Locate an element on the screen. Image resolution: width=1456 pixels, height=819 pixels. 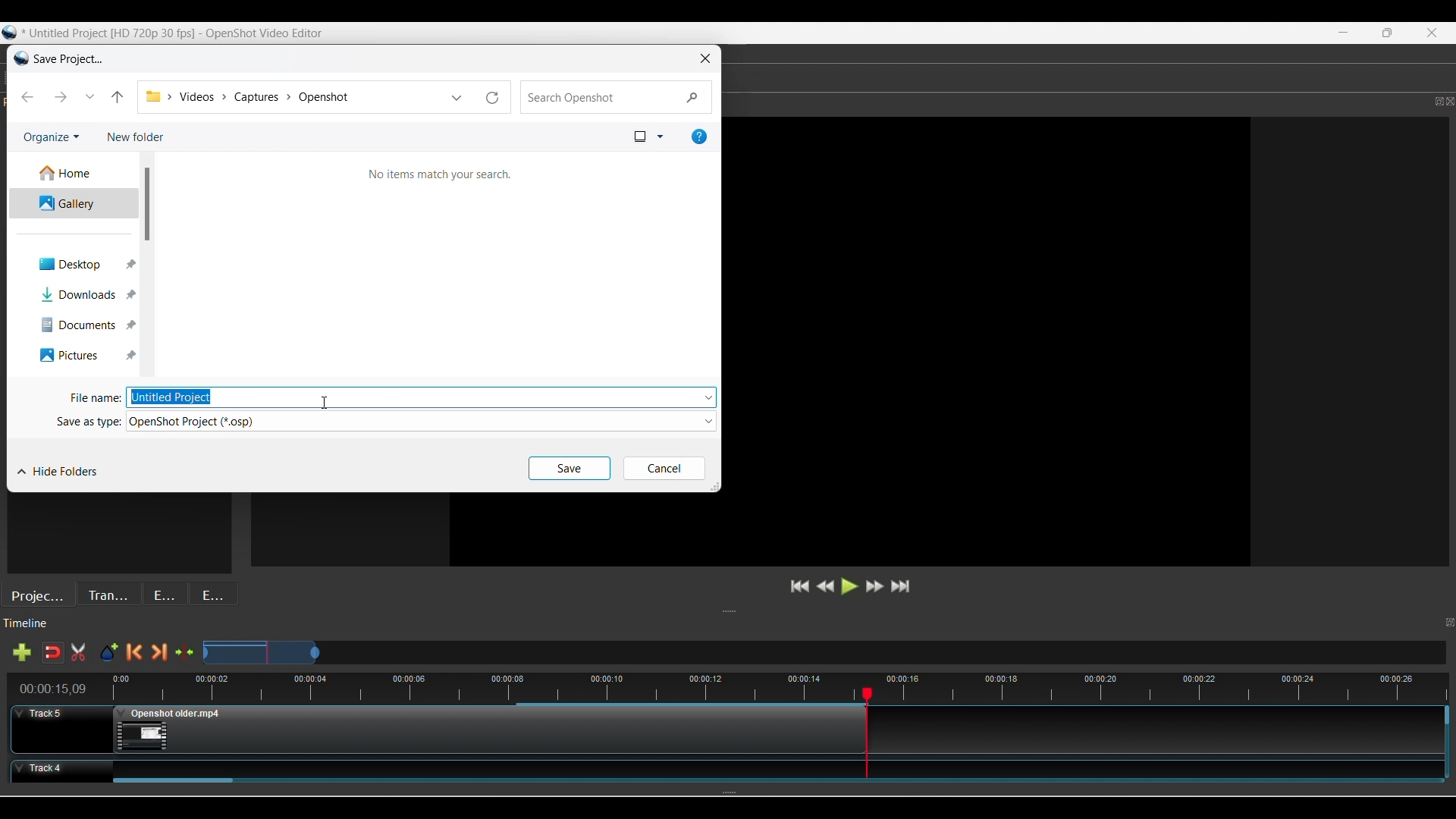
Change height of panels attached to this line is located at coordinates (799, 612).